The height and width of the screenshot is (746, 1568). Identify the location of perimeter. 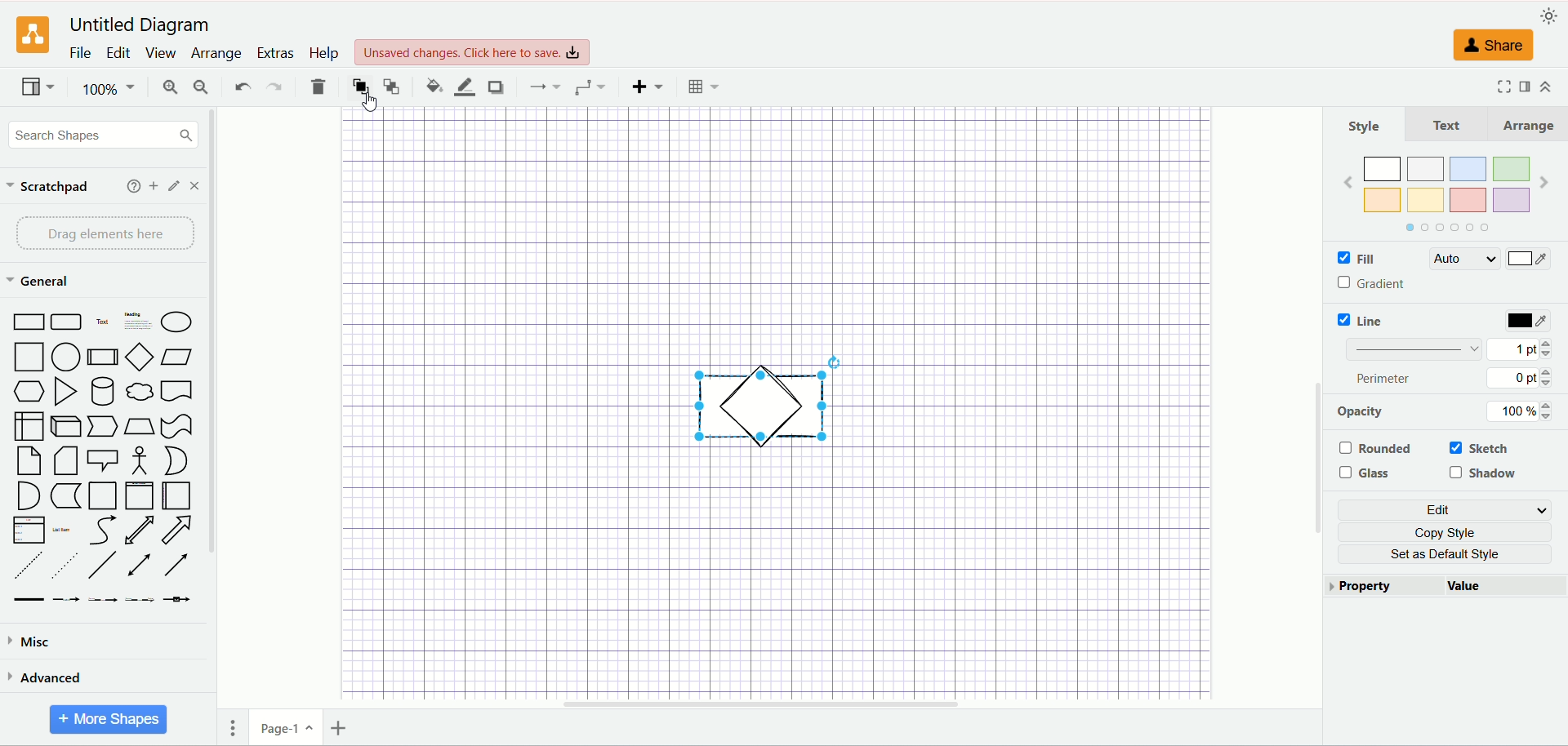
(1385, 380).